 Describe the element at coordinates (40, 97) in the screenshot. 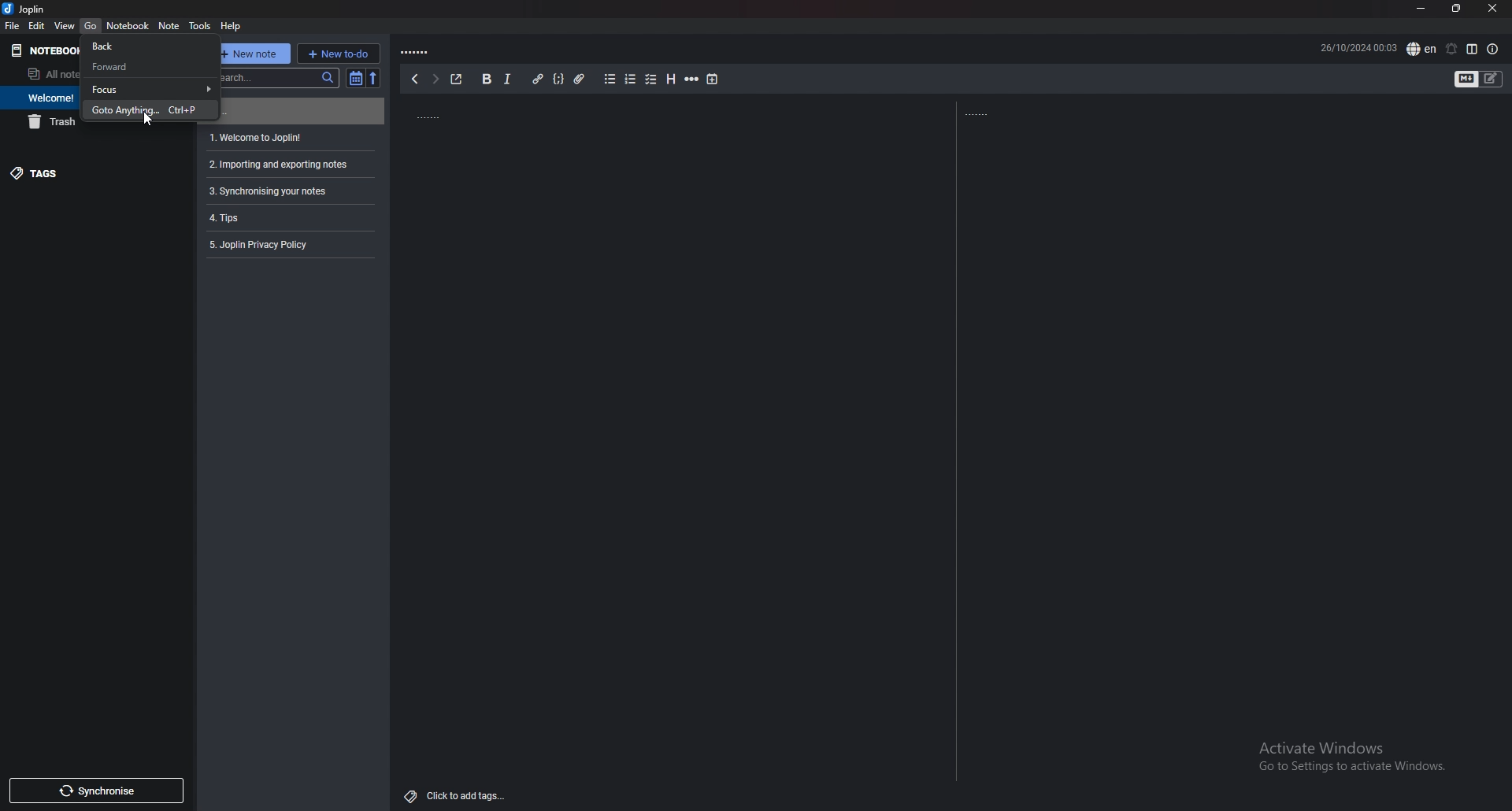

I see `welcome` at that location.